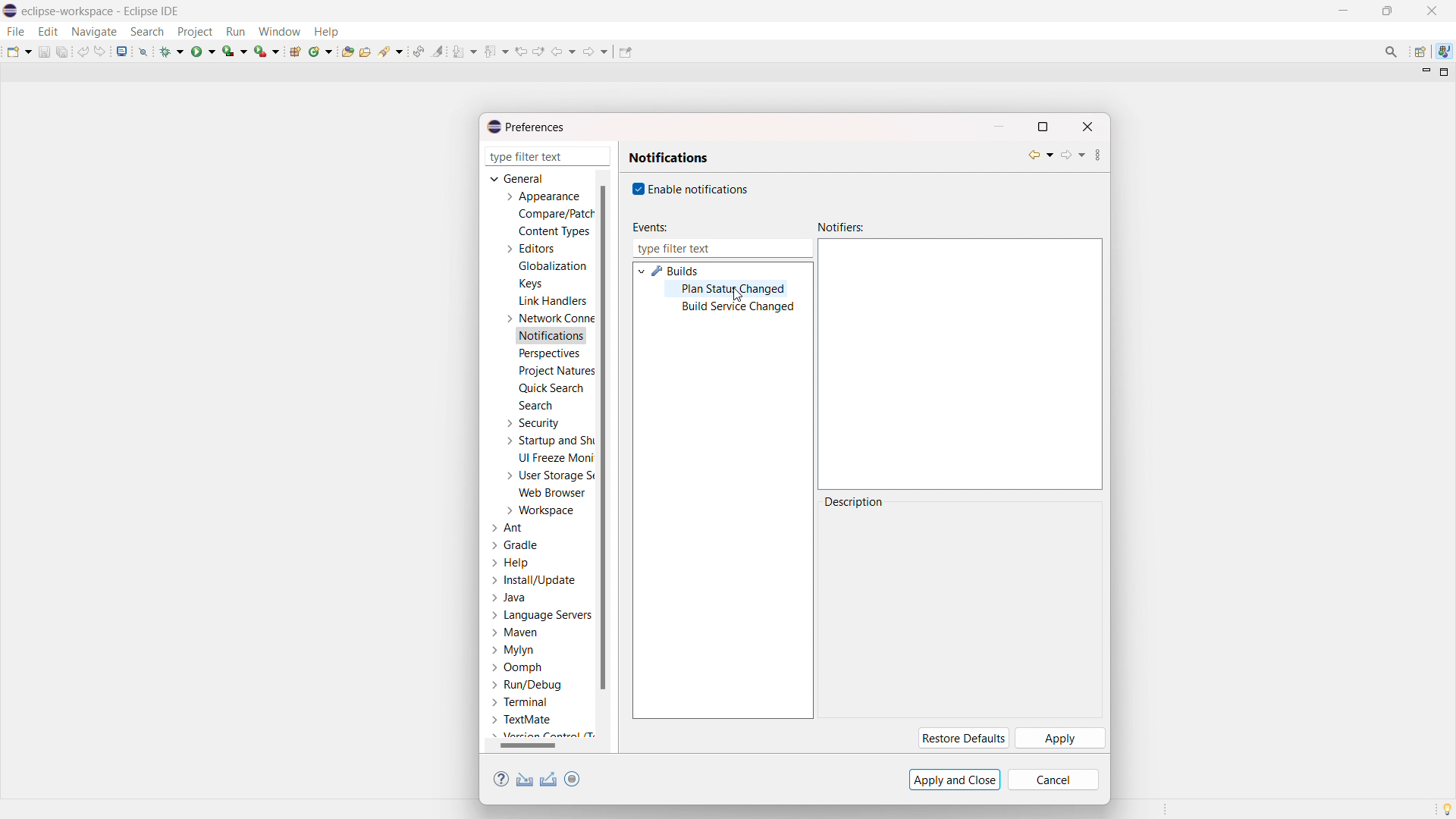  What do you see at coordinates (14, 31) in the screenshot?
I see `file` at bounding box center [14, 31].